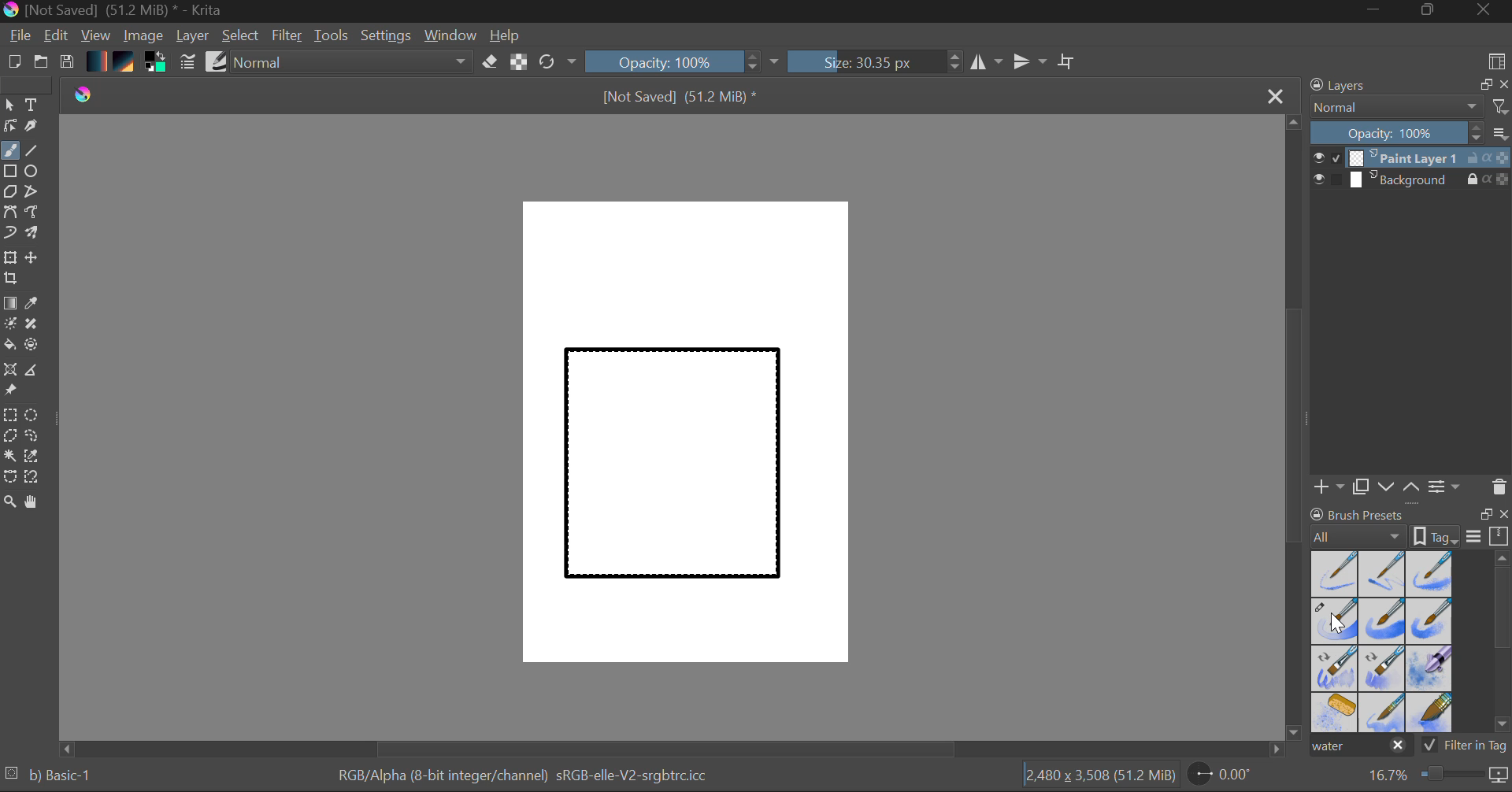 The height and width of the screenshot is (792, 1512). Describe the element at coordinates (9, 417) in the screenshot. I see `Rectangle Selection Tool` at that location.